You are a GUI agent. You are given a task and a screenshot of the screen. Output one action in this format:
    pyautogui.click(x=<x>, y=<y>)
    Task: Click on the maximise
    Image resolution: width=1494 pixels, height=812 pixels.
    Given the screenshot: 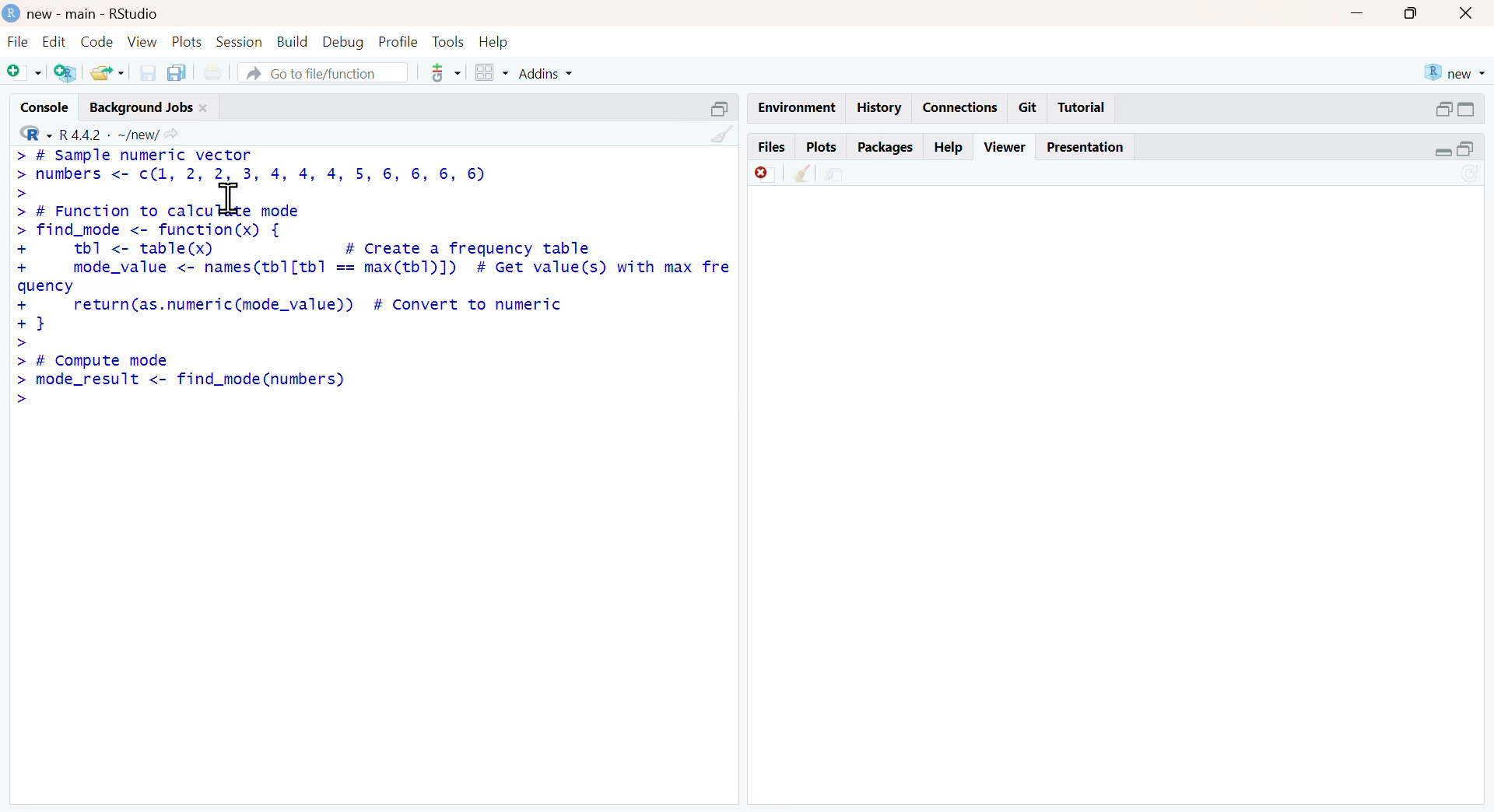 What is the action you would take?
    pyautogui.click(x=1409, y=13)
    